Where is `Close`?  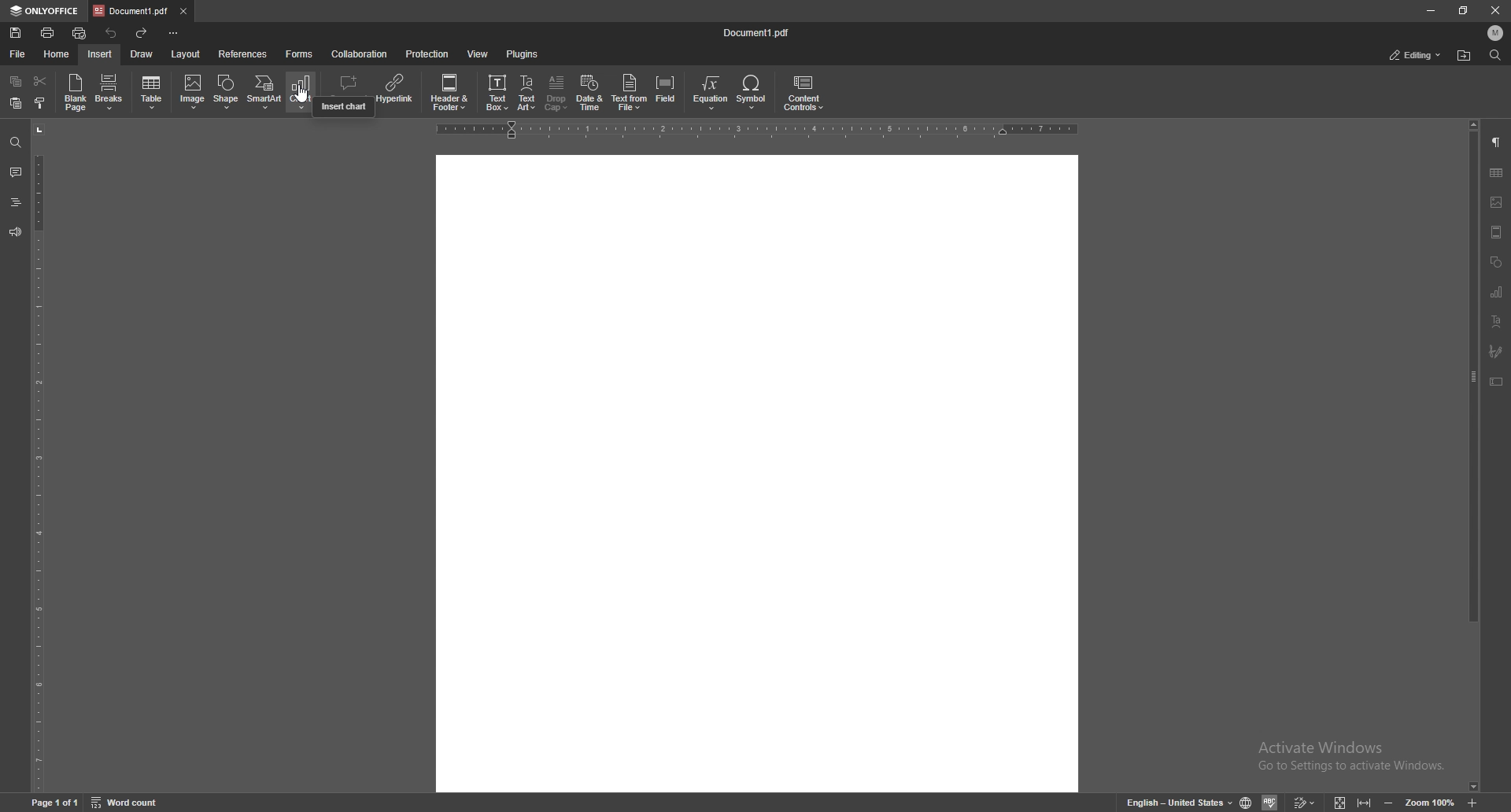 Close is located at coordinates (1491, 10).